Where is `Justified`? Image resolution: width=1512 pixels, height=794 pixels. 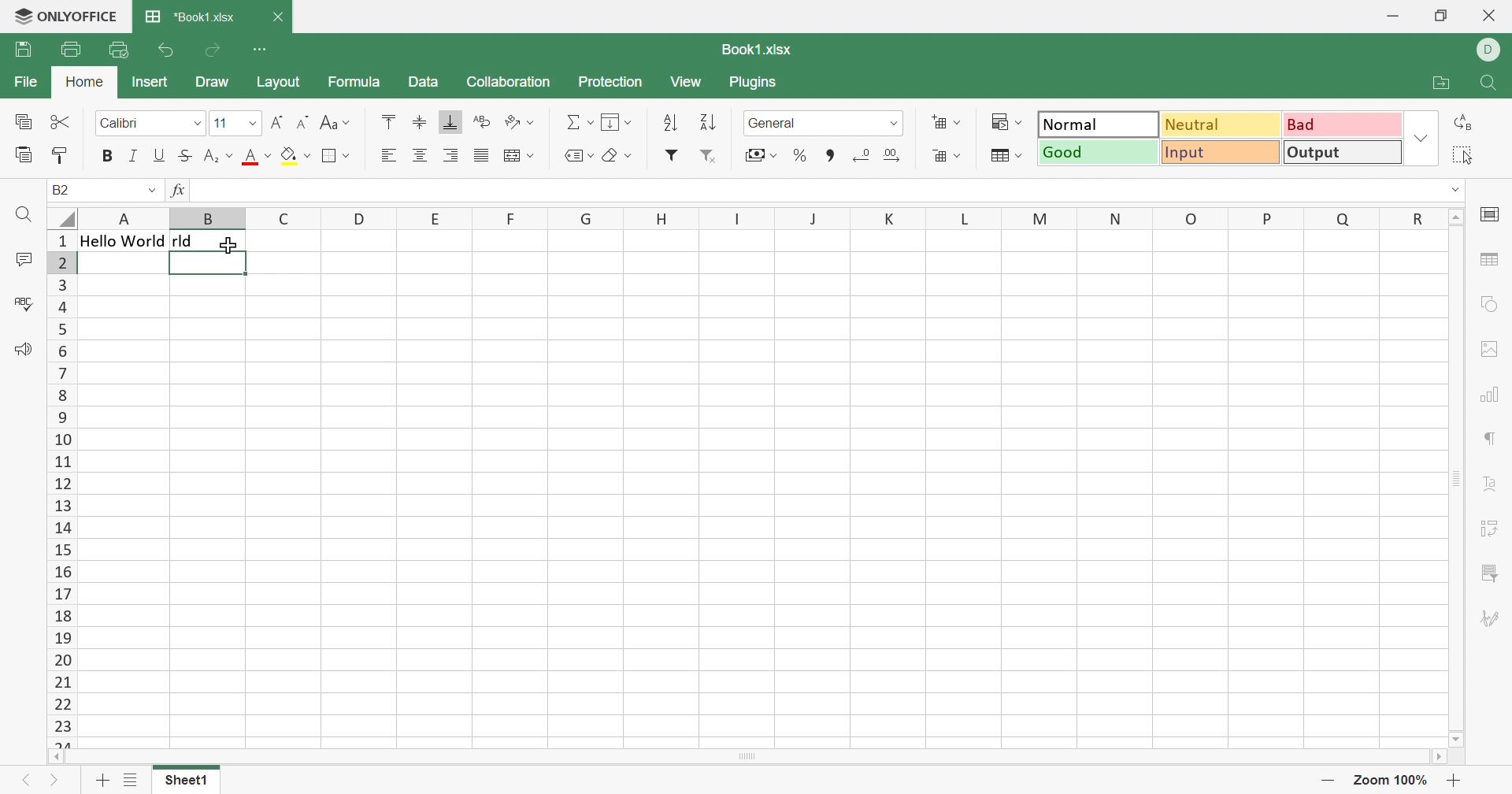 Justified is located at coordinates (482, 155).